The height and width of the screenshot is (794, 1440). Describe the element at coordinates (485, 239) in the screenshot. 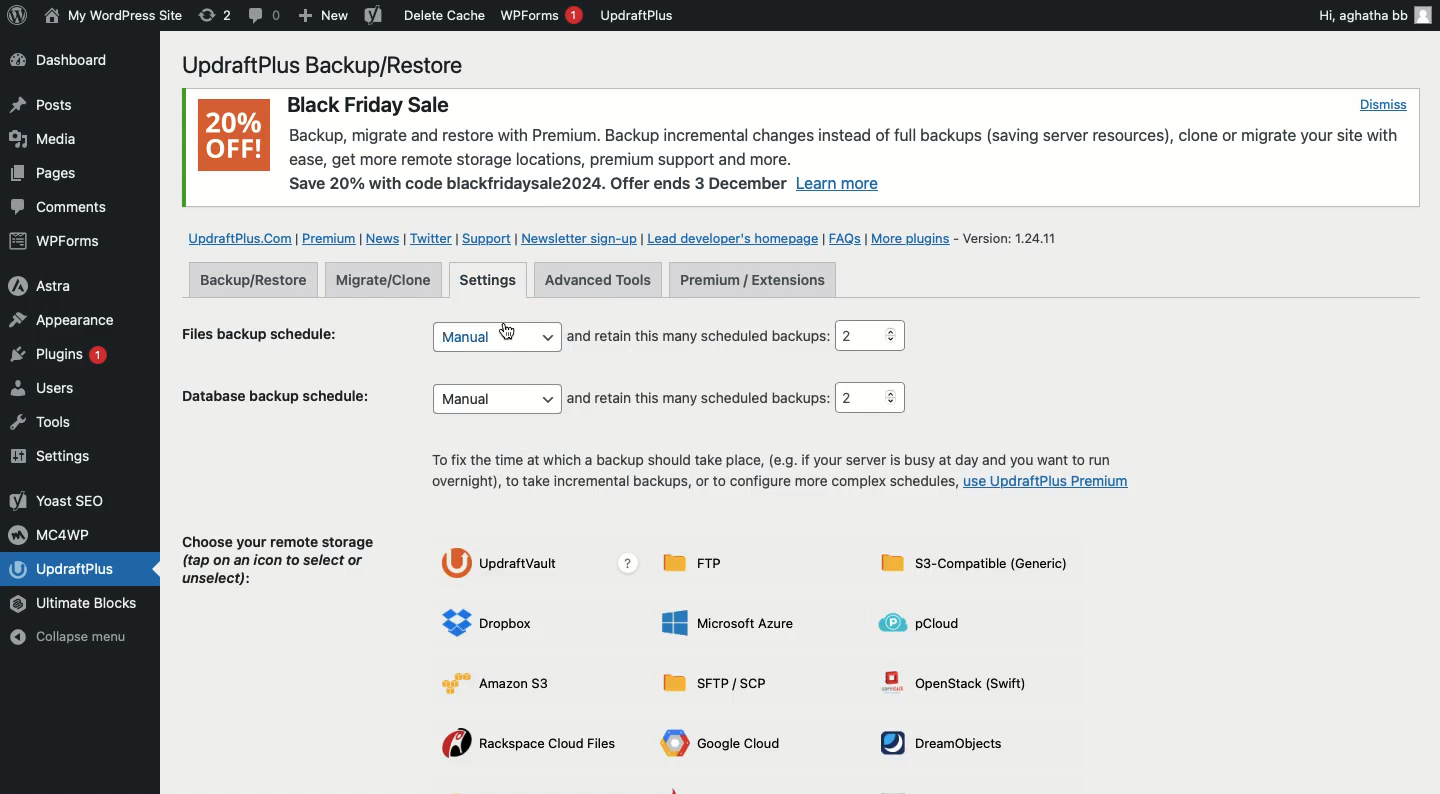

I see `Support` at that location.